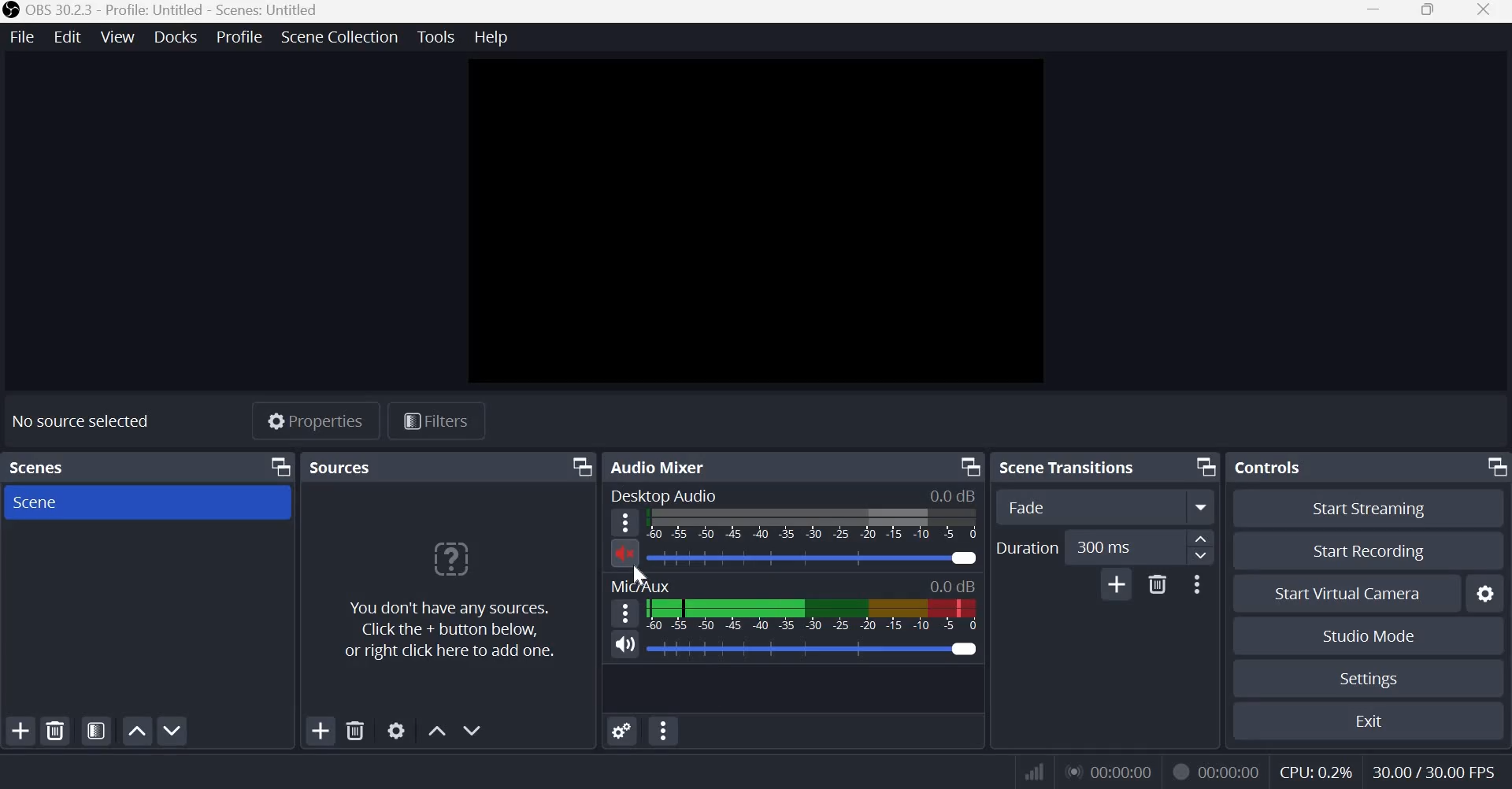  What do you see at coordinates (138, 731) in the screenshot?
I see `Move scene up` at bounding box center [138, 731].